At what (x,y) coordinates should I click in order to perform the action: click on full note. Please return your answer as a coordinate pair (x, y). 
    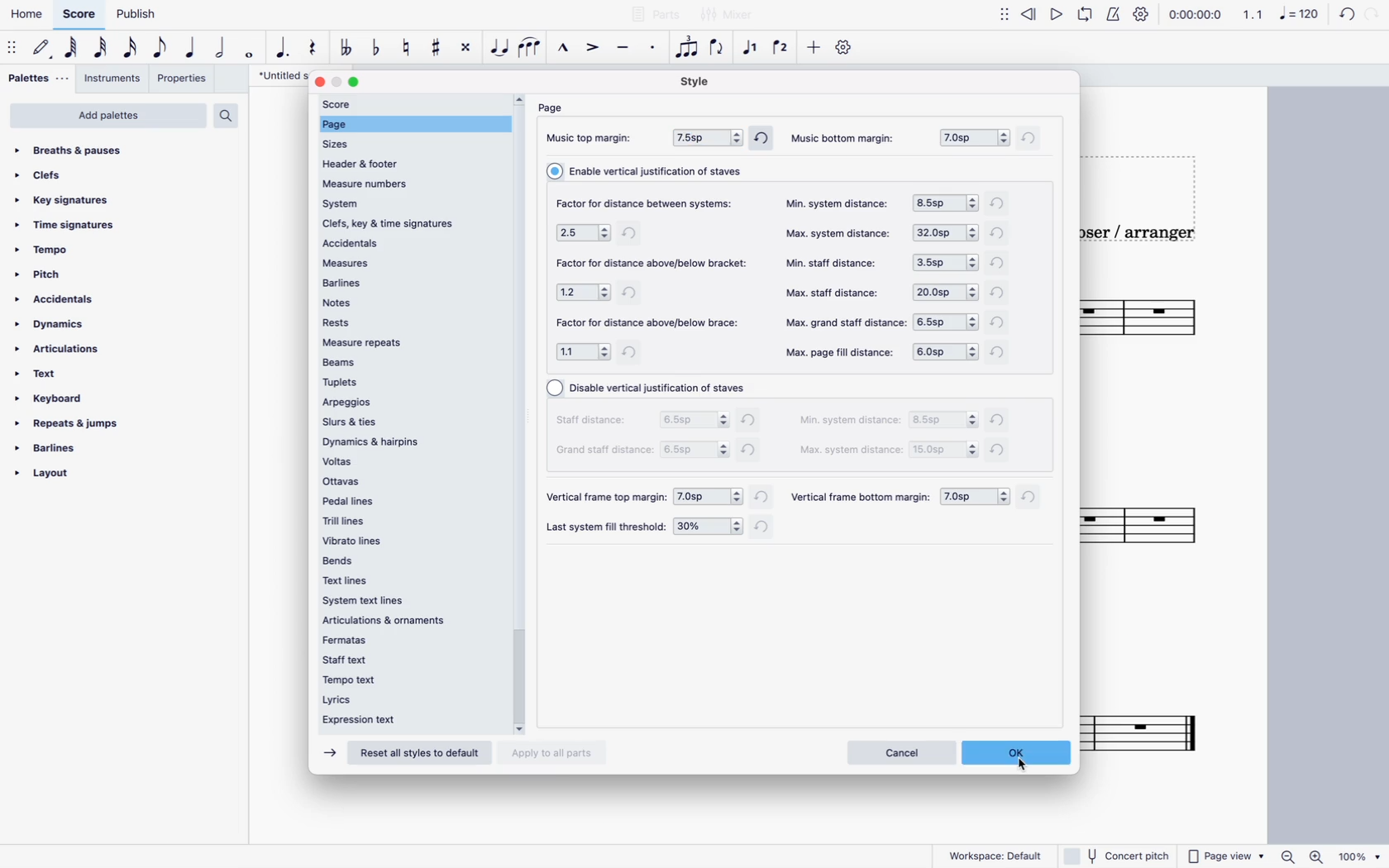
    Looking at the image, I should click on (248, 51).